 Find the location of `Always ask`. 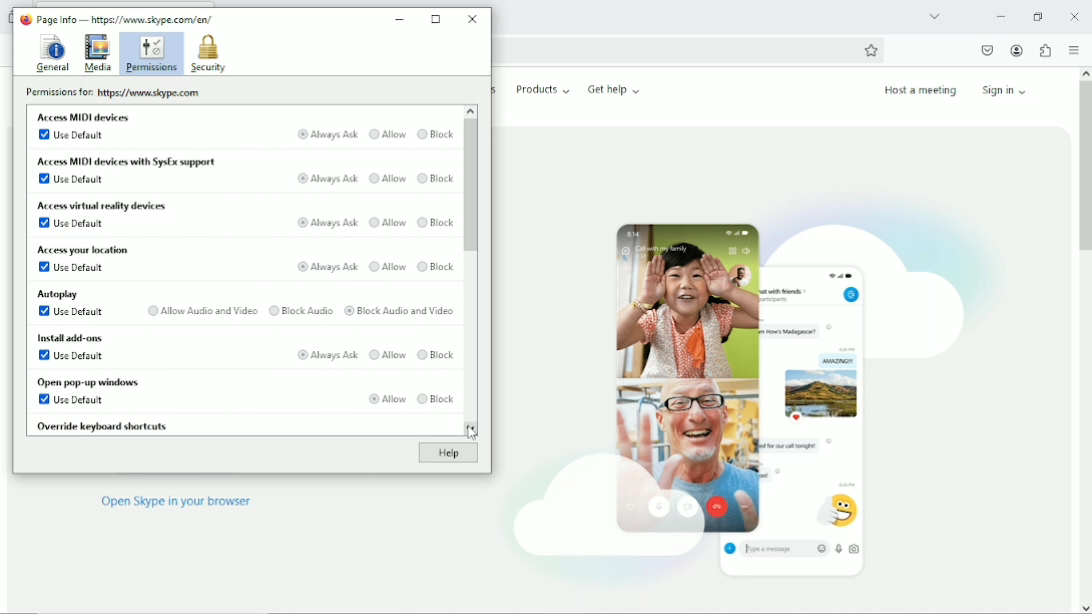

Always ask is located at coordinates (323, 267).